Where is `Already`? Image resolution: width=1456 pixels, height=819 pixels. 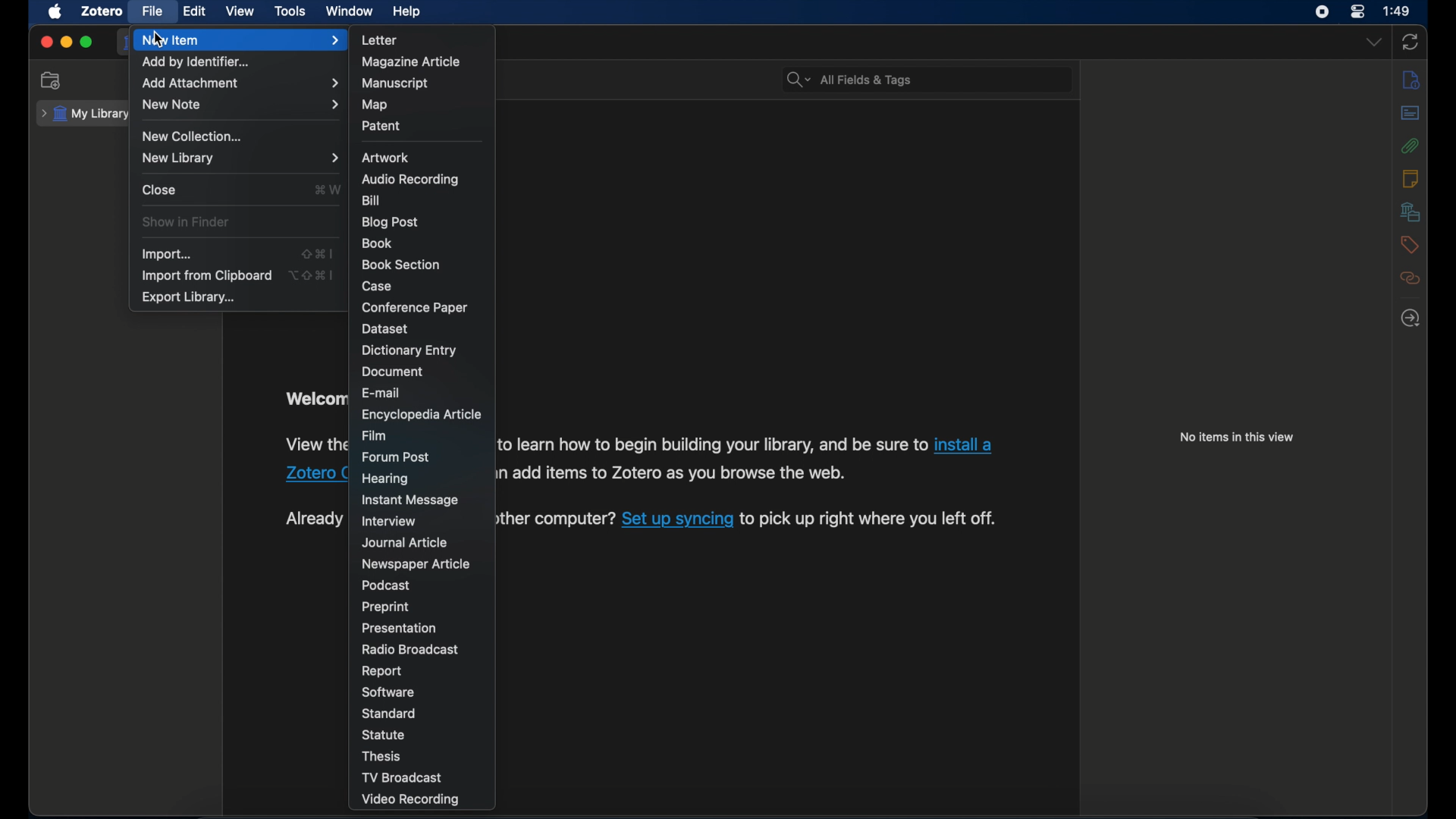 Already is located at coordinates (312, 516).